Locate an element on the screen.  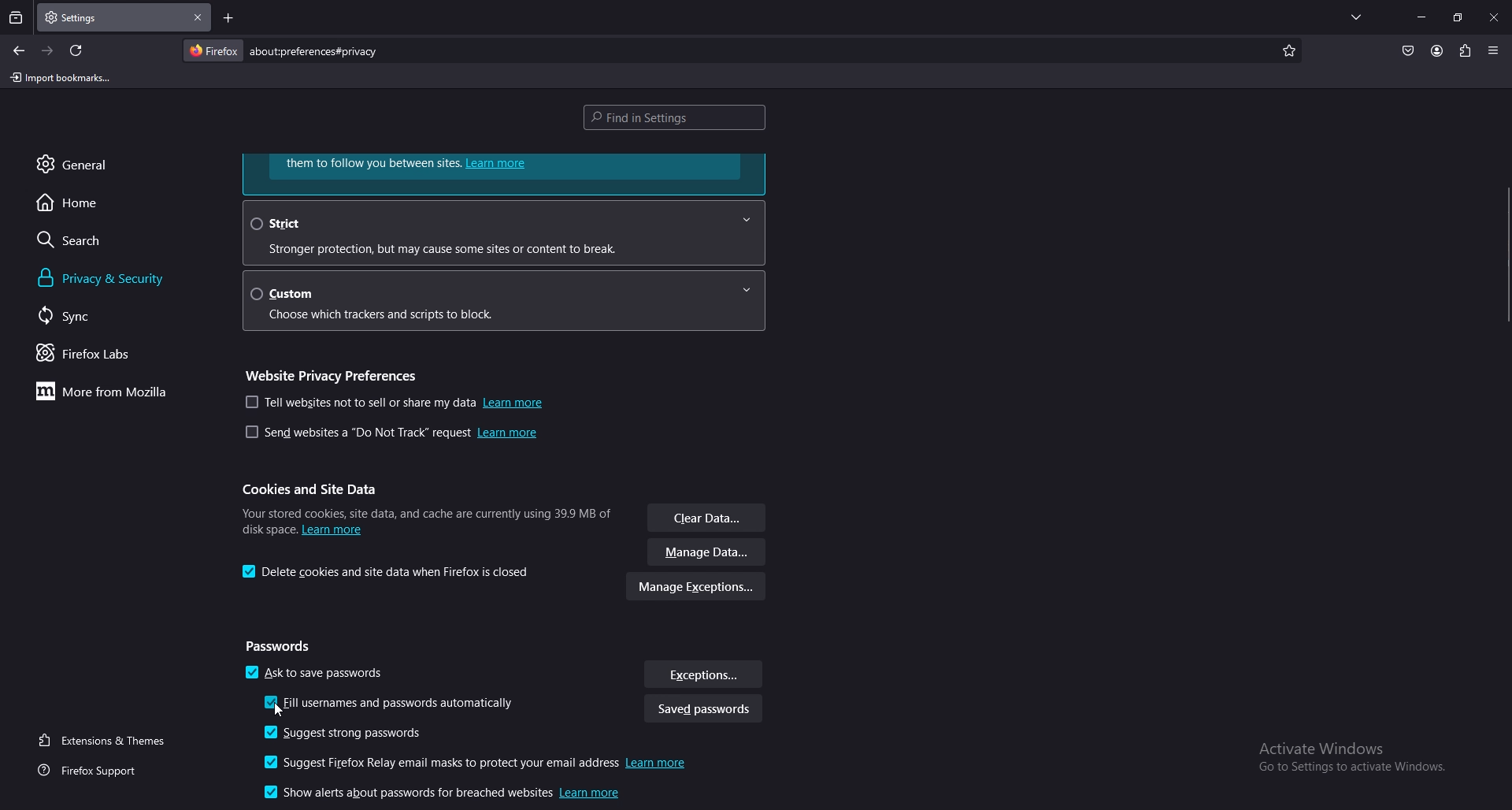
firefox is located at coordinates (213, 50).